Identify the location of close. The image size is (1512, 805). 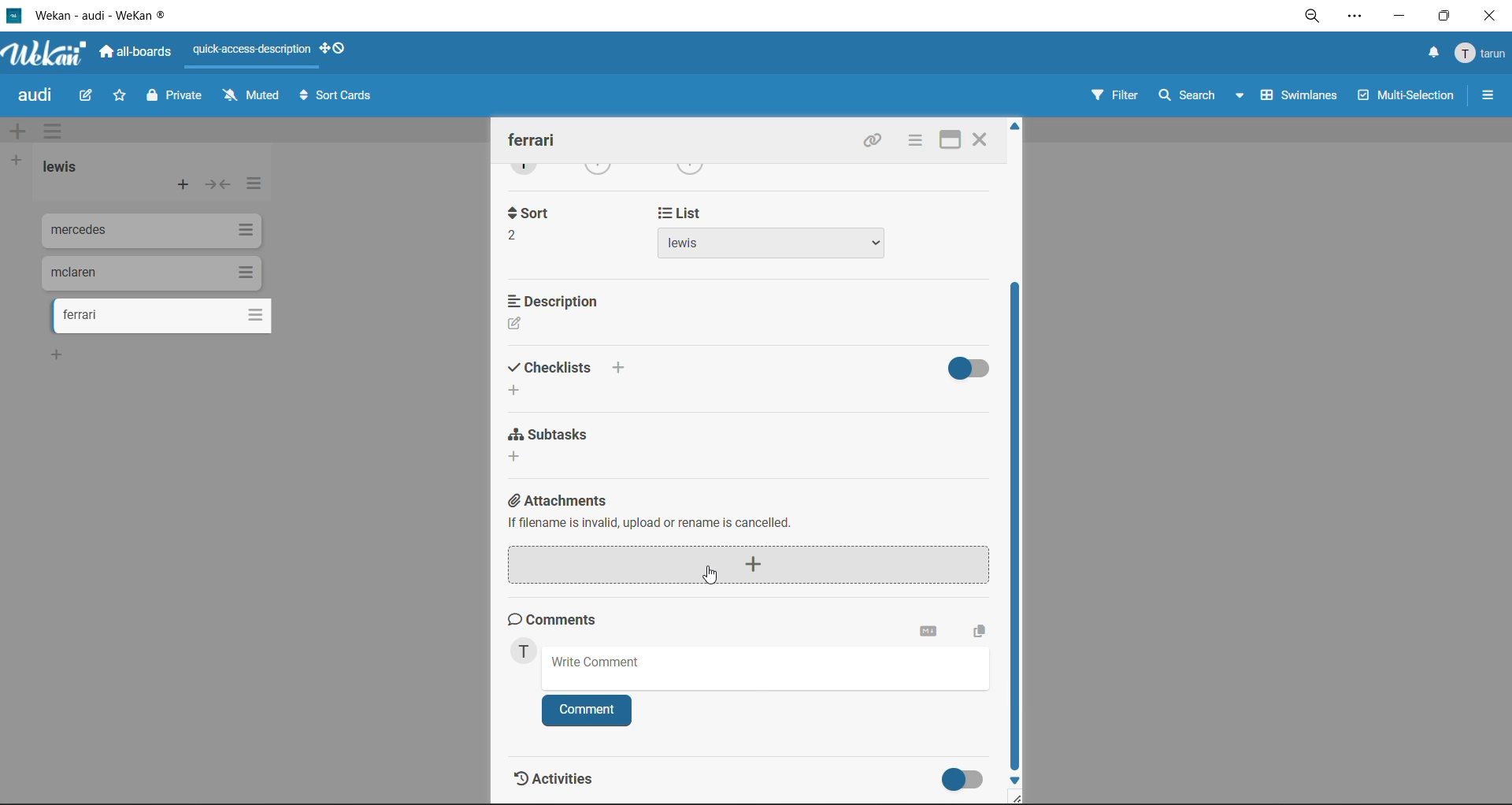
(1492, 18).